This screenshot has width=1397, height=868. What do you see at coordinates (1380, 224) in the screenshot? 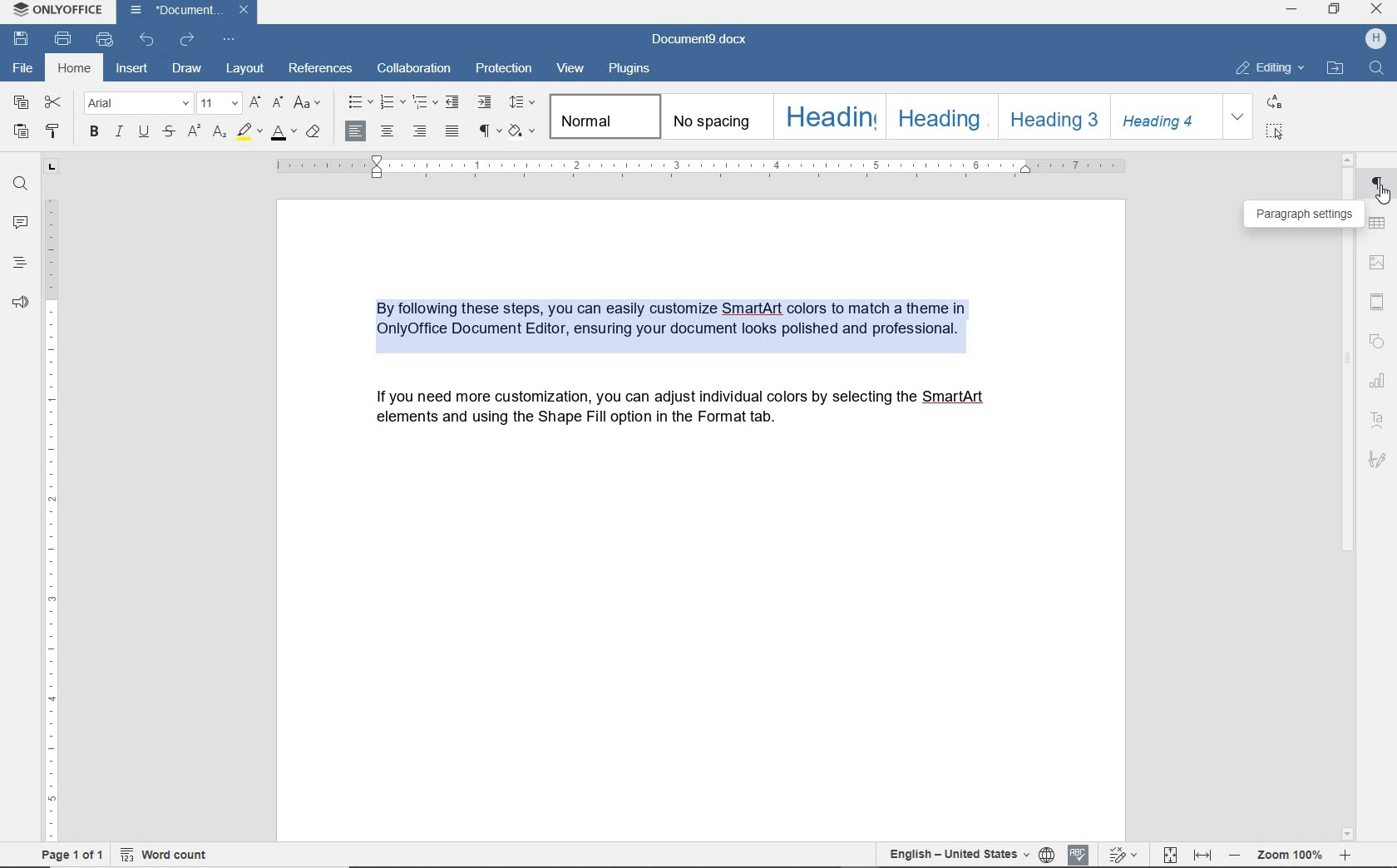
I see `table` at bounding box center [1380, 224].